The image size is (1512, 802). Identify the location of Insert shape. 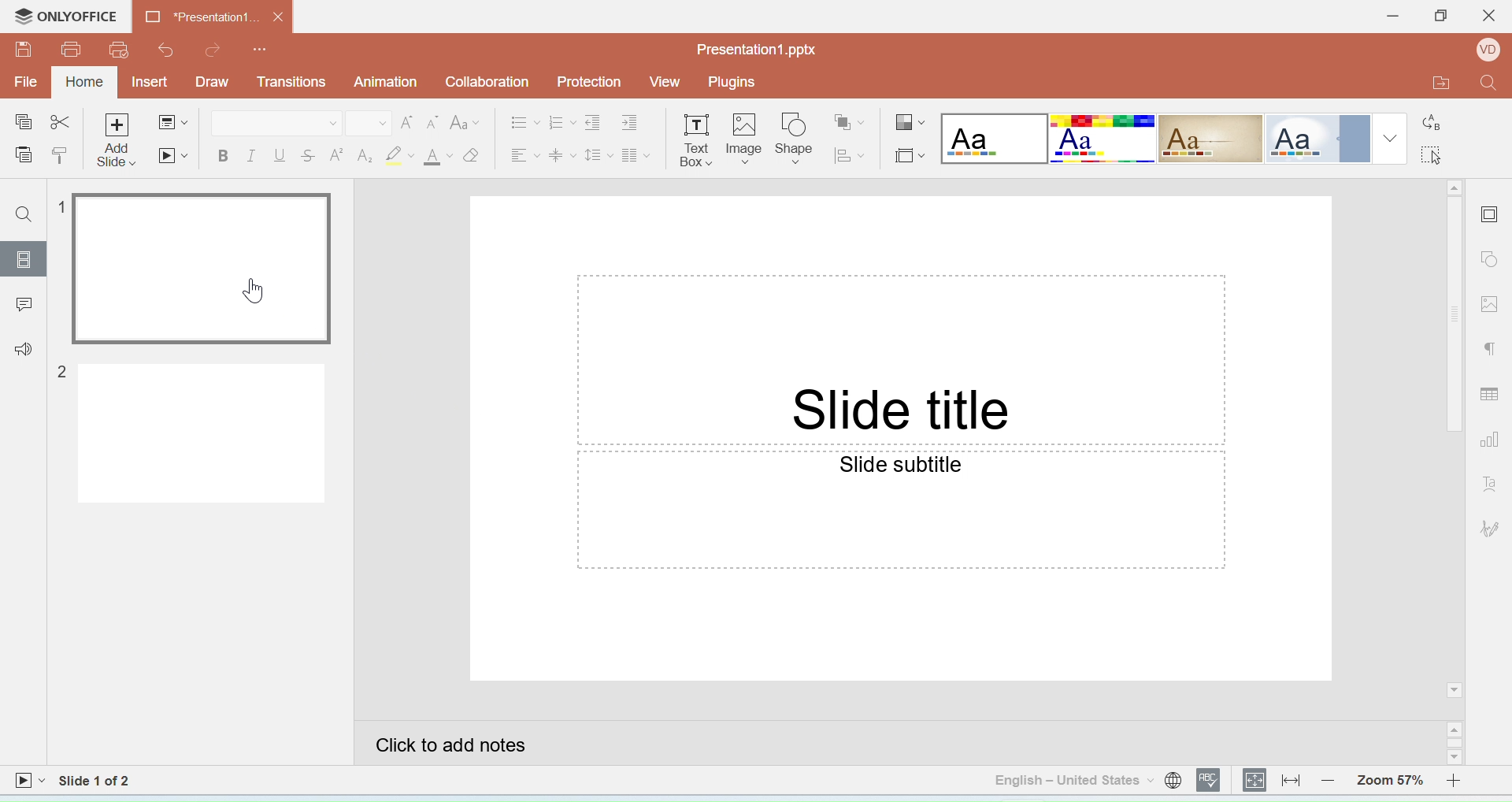
(795, 139).